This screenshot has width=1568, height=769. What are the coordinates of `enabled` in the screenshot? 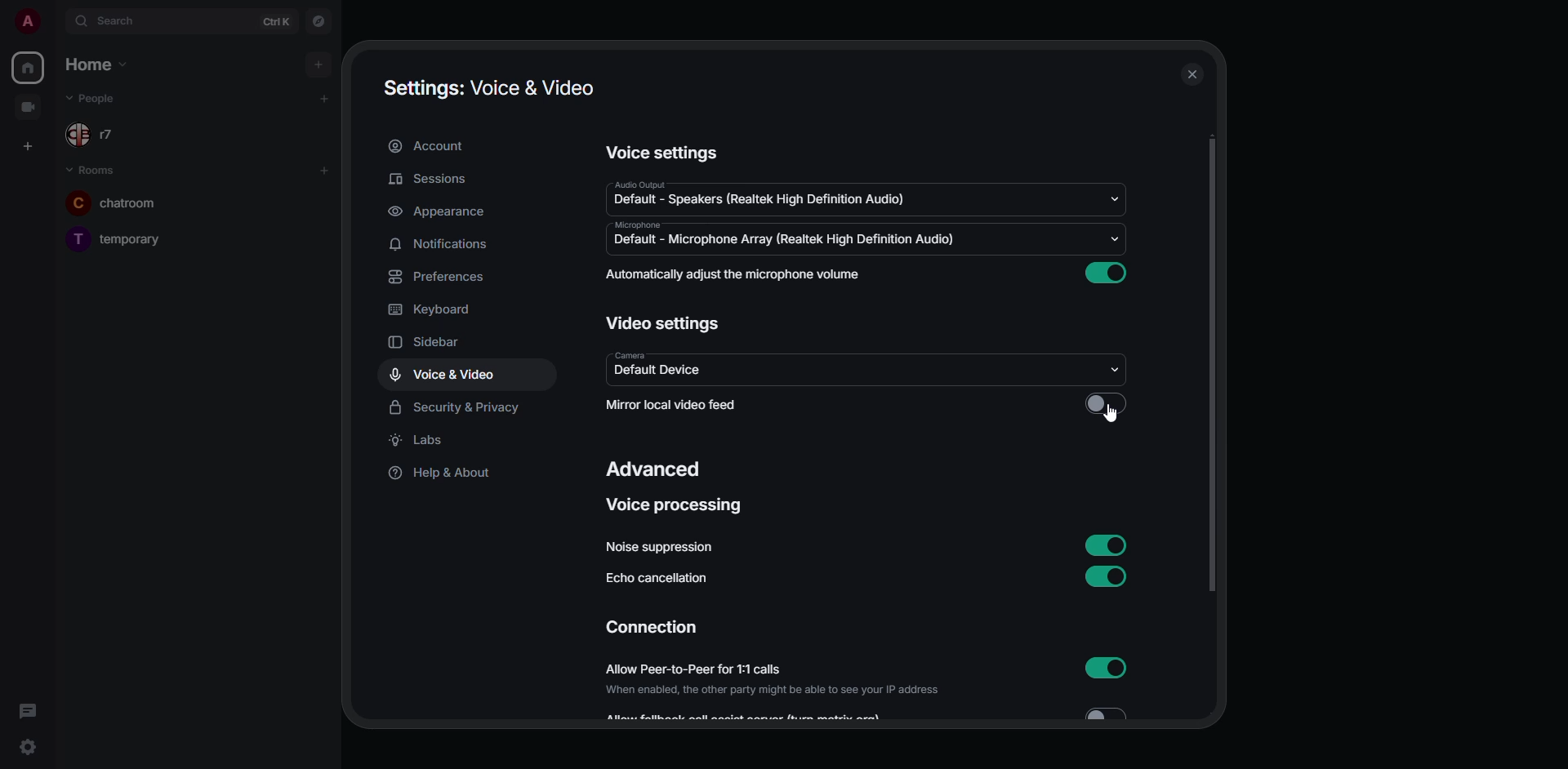 It's located at (1109, 575).